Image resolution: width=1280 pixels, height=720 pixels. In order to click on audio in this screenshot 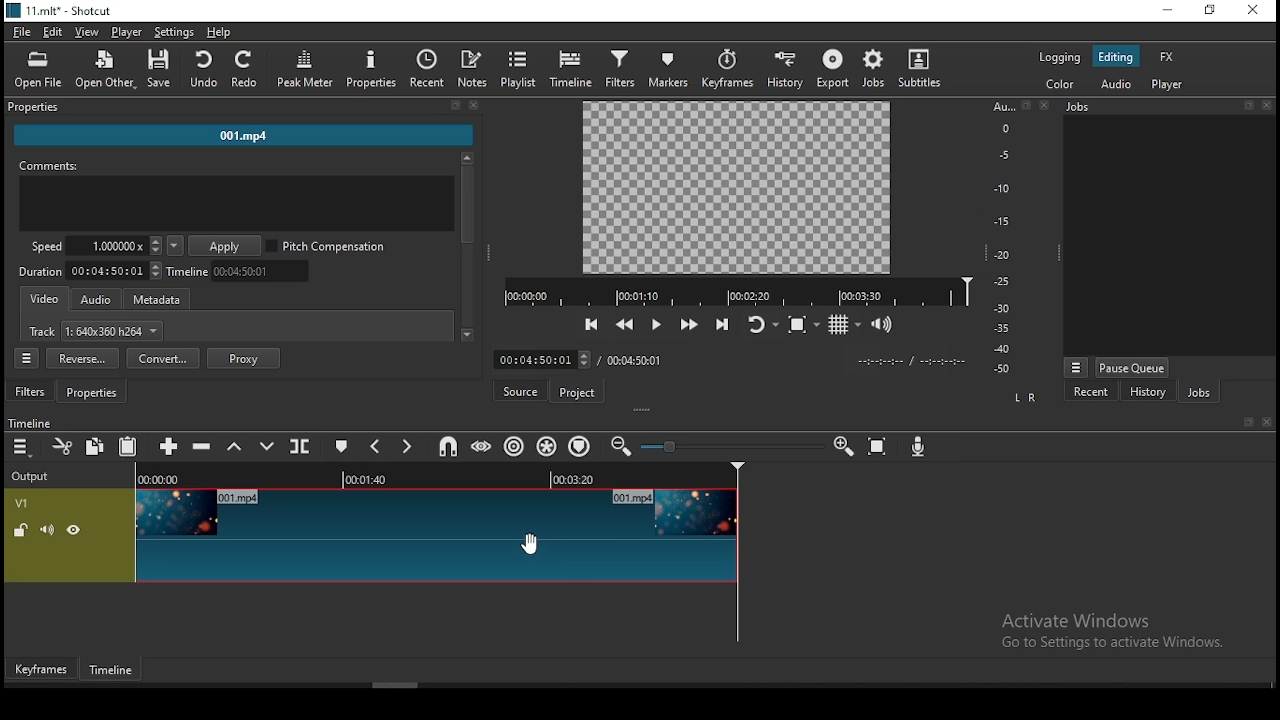, I will do `click(95, 300)`.